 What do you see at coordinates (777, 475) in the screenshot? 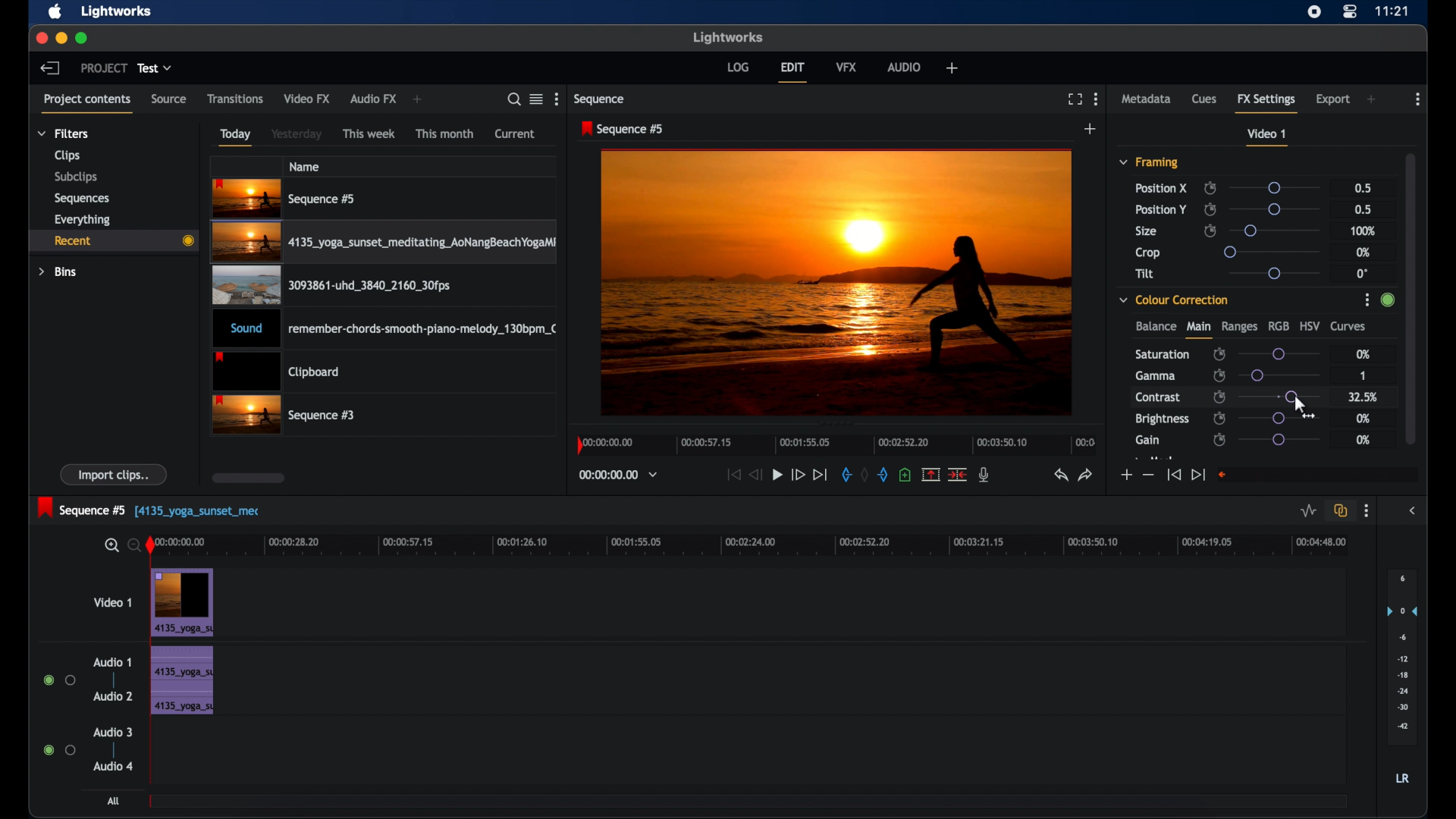
I see `play ` at bounding box center [777, 475].